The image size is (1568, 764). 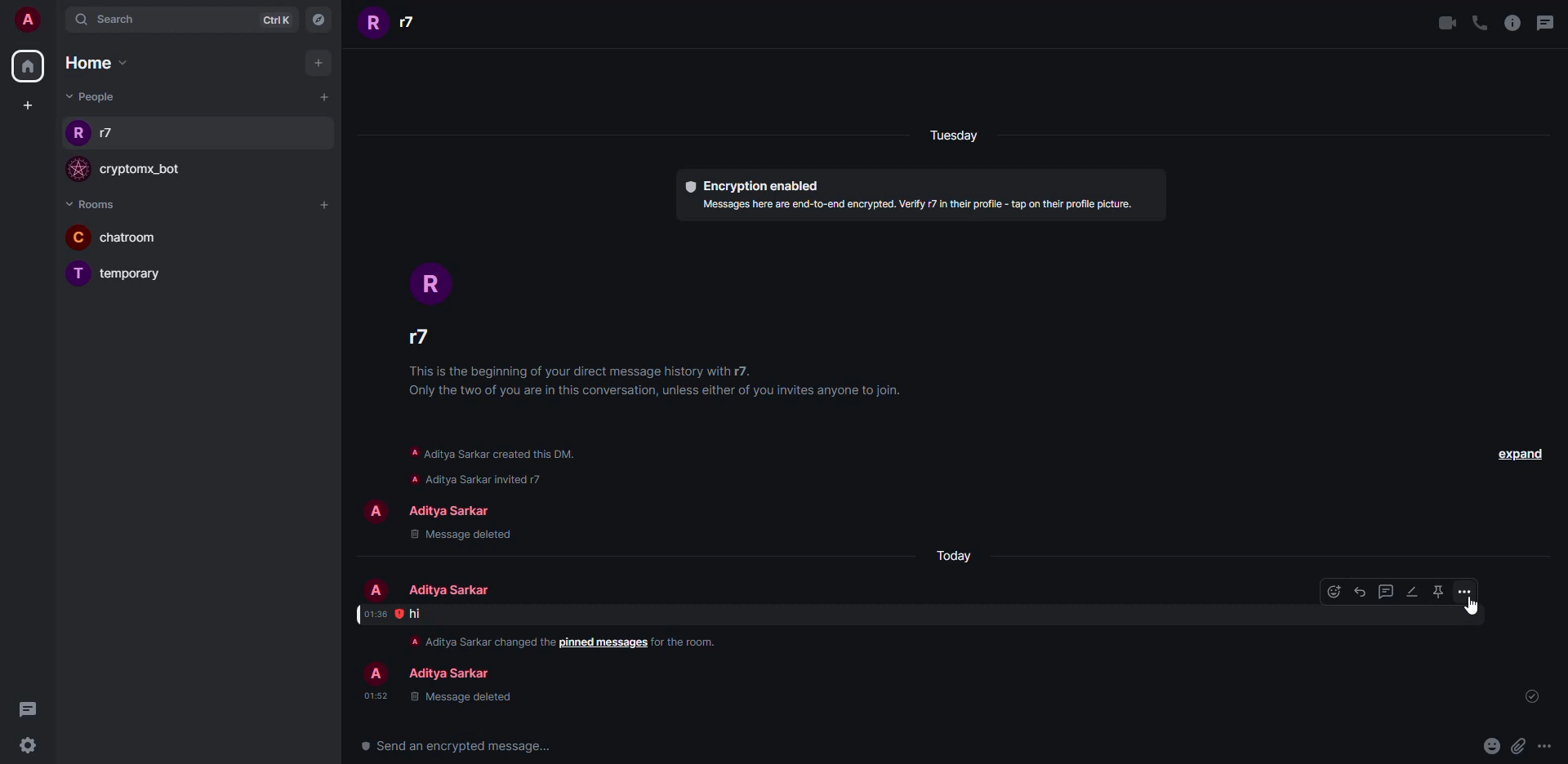 I want to click on profile, so click(x=375, y=675).